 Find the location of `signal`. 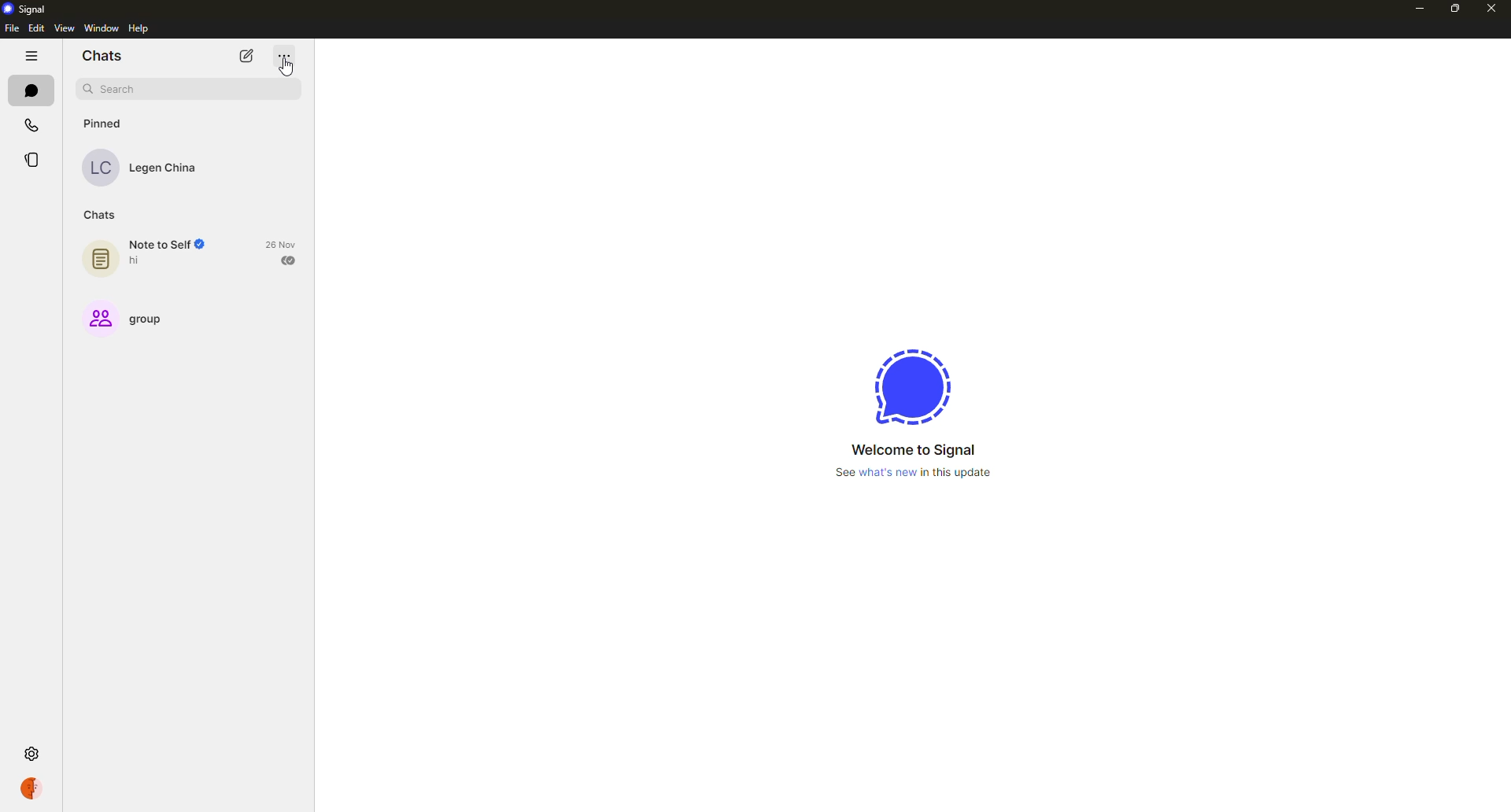

signal is located at coordinates (30, 9).